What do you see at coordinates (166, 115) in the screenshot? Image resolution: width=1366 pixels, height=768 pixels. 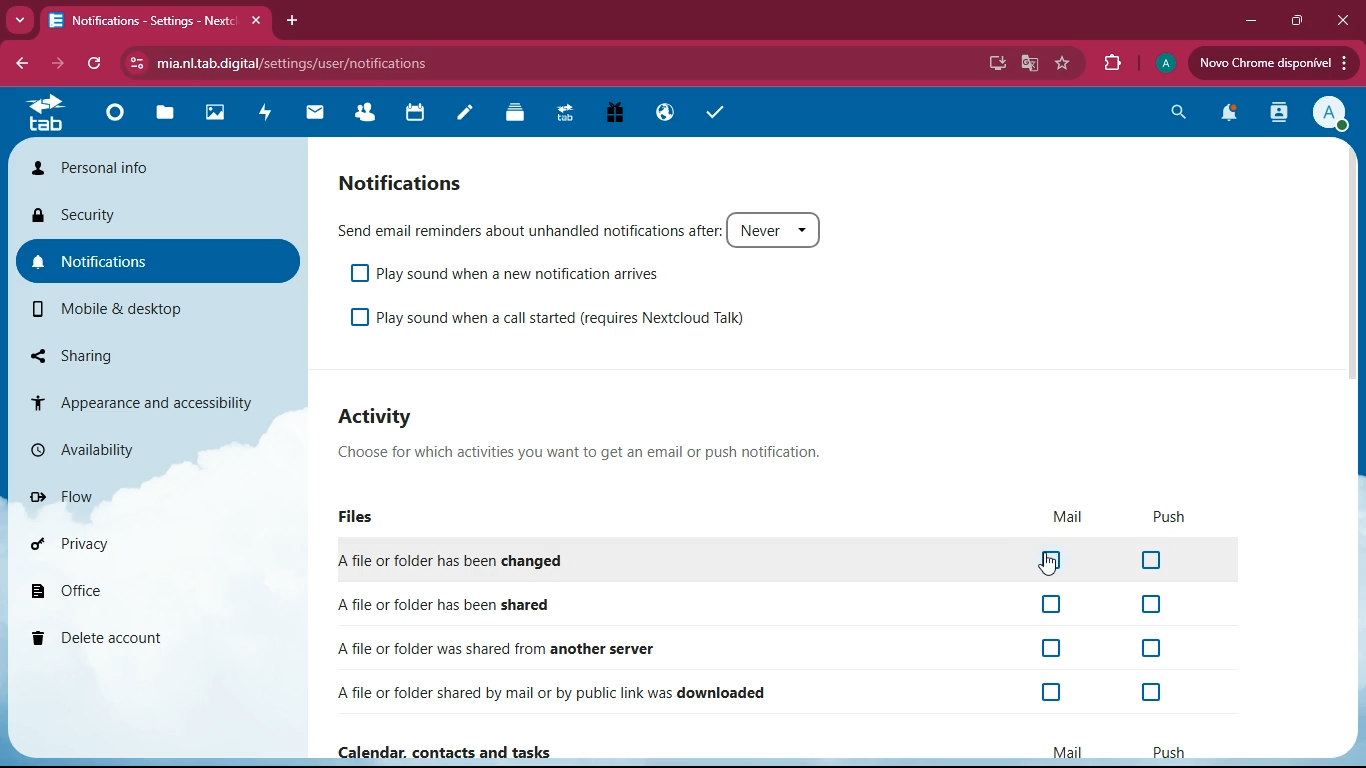 I see `files` at bounding box center [166, 115].